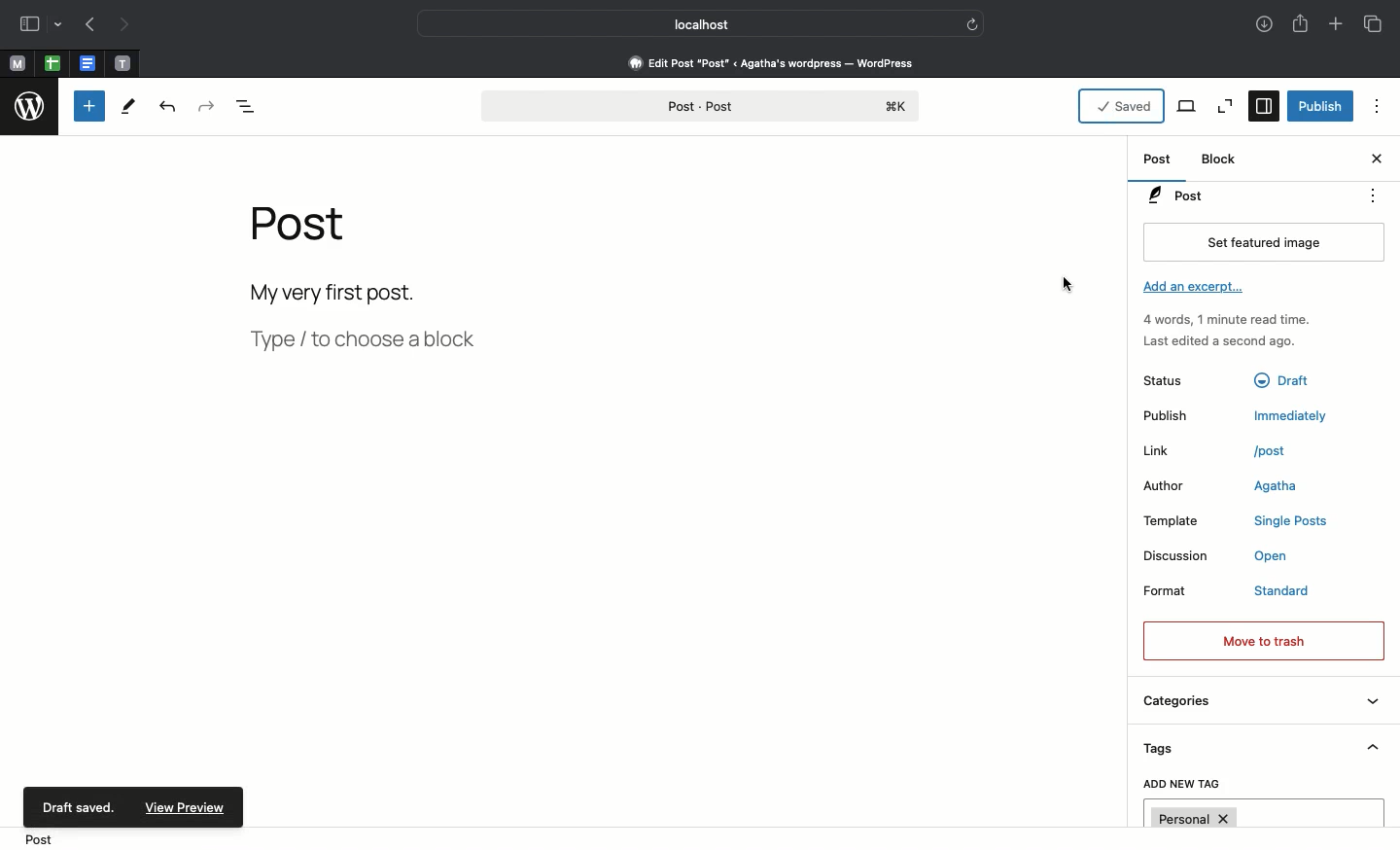 The width and height of the screenshot is (1400, 850). Describe the element at coordinates (1374, 195) in the screenshot. I see `options` at that location.